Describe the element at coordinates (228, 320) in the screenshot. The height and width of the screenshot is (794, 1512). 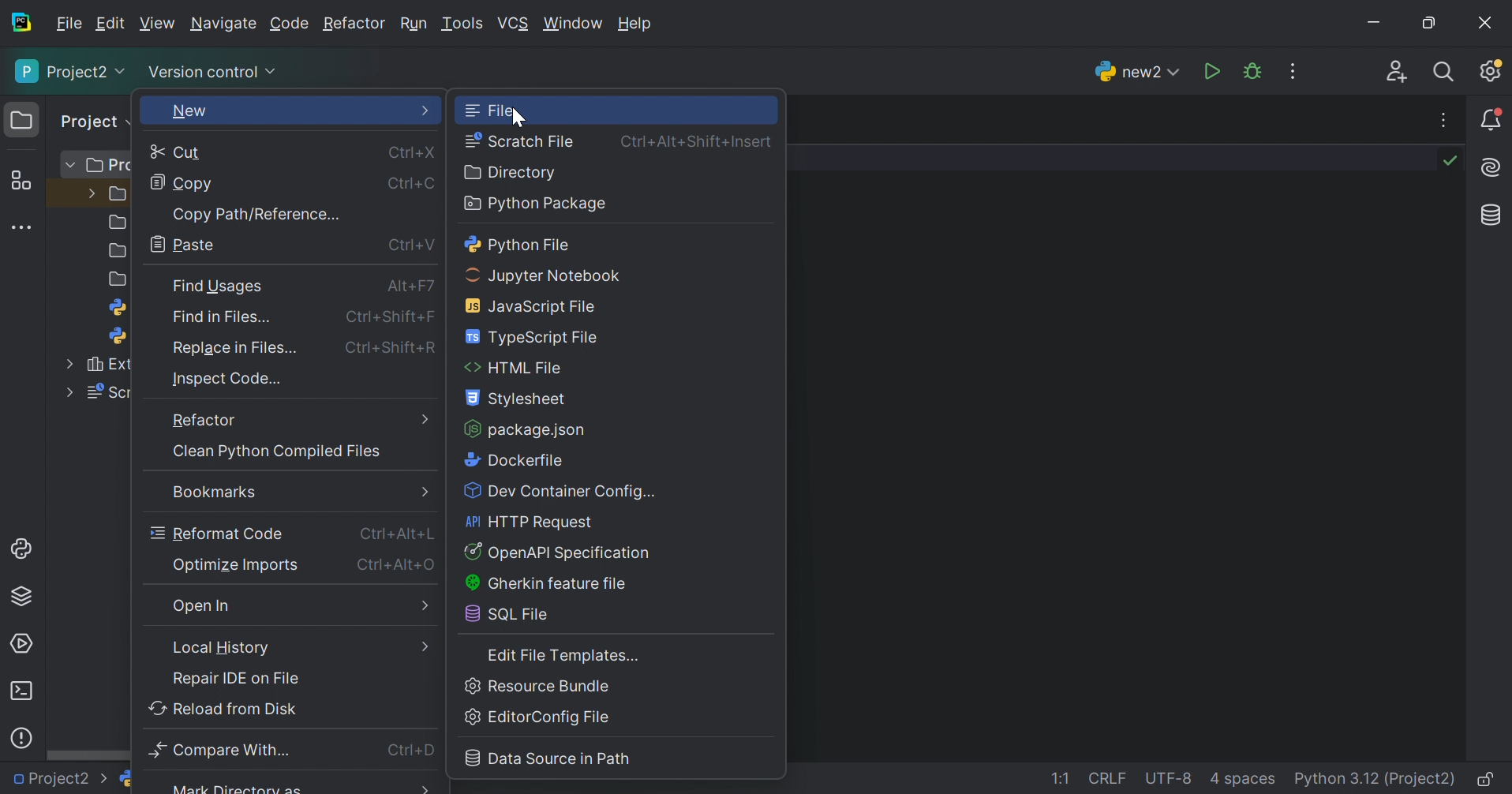
I see `Find in files` at that location.